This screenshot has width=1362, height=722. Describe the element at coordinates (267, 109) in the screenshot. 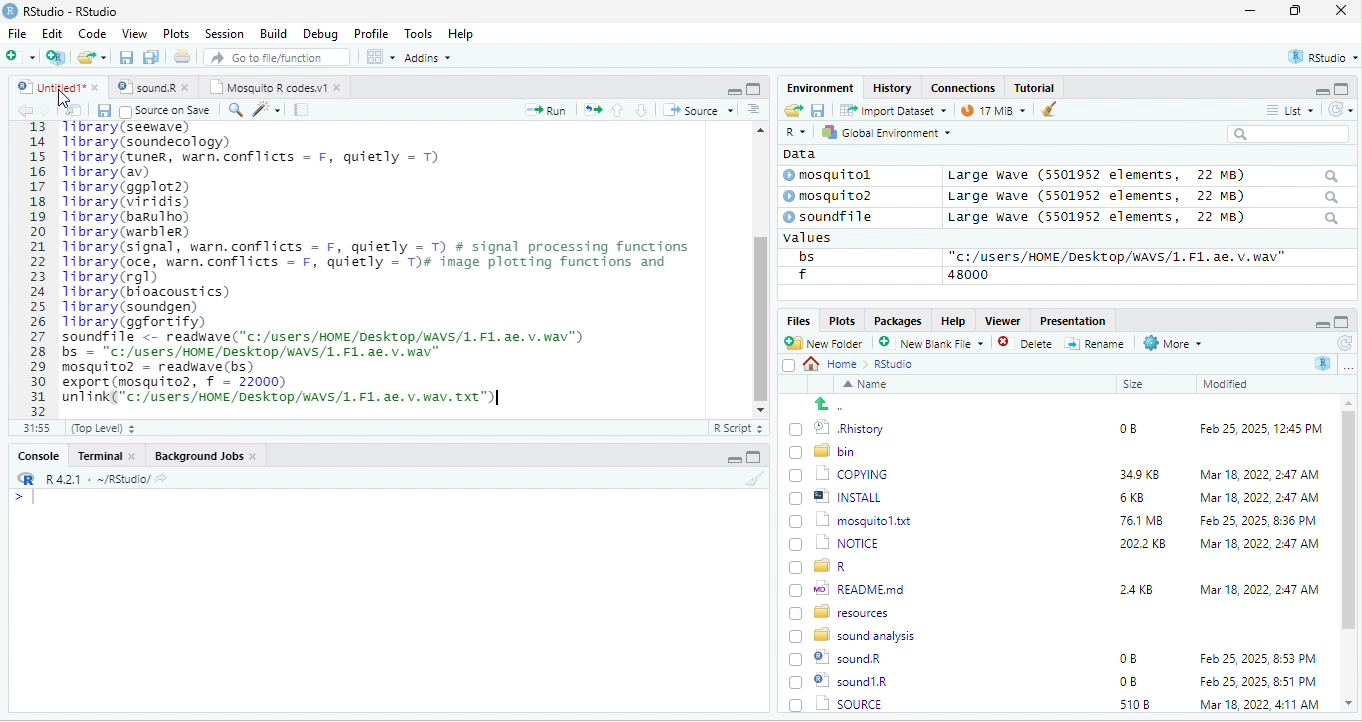

I see `sharpen` at that location.